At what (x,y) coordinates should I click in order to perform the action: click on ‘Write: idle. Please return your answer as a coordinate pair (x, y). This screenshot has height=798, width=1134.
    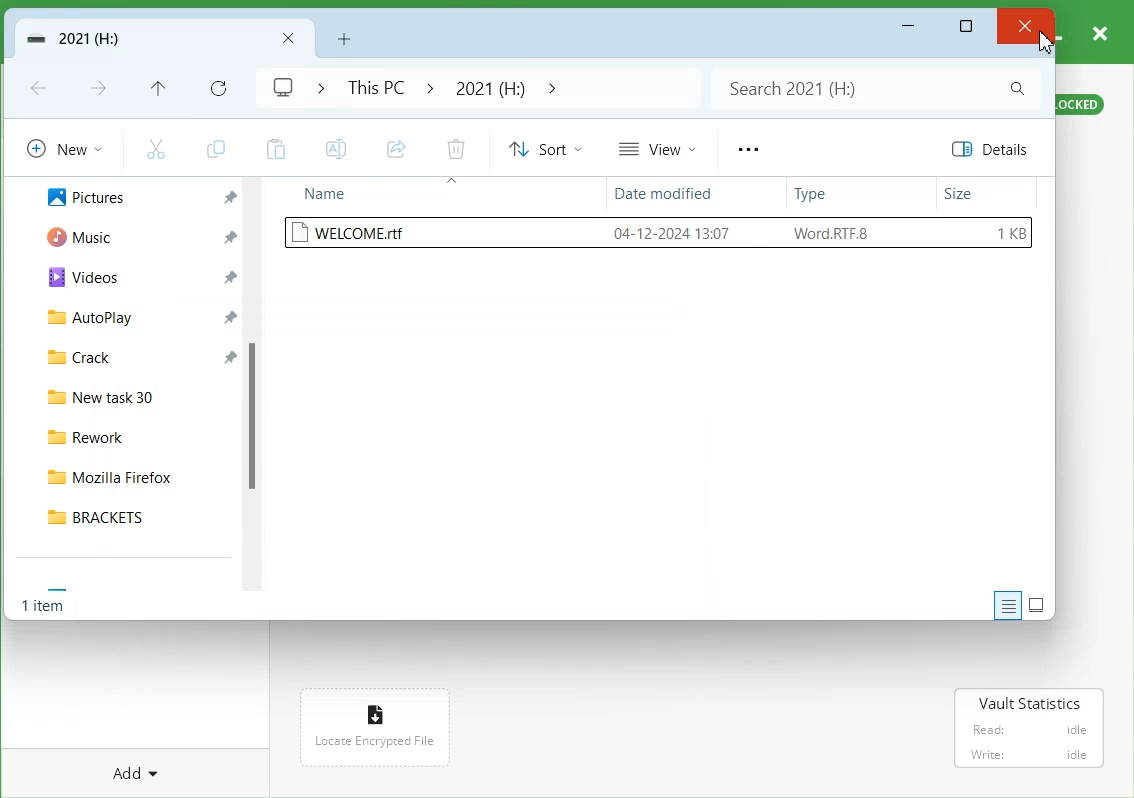
    Looking at the image, I should click on (1027, 755).